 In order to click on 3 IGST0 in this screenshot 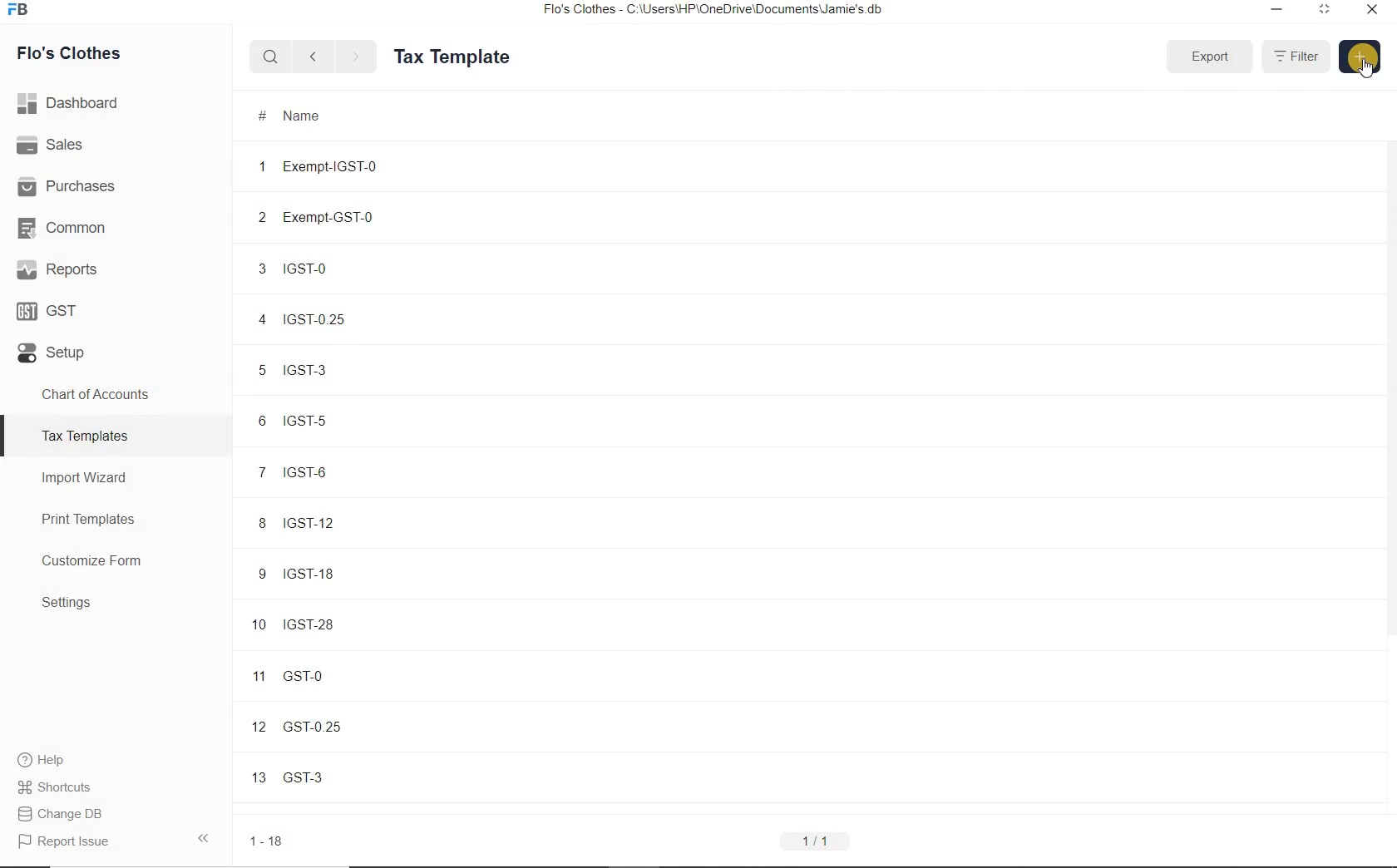, I will do `click(343, 269)`.